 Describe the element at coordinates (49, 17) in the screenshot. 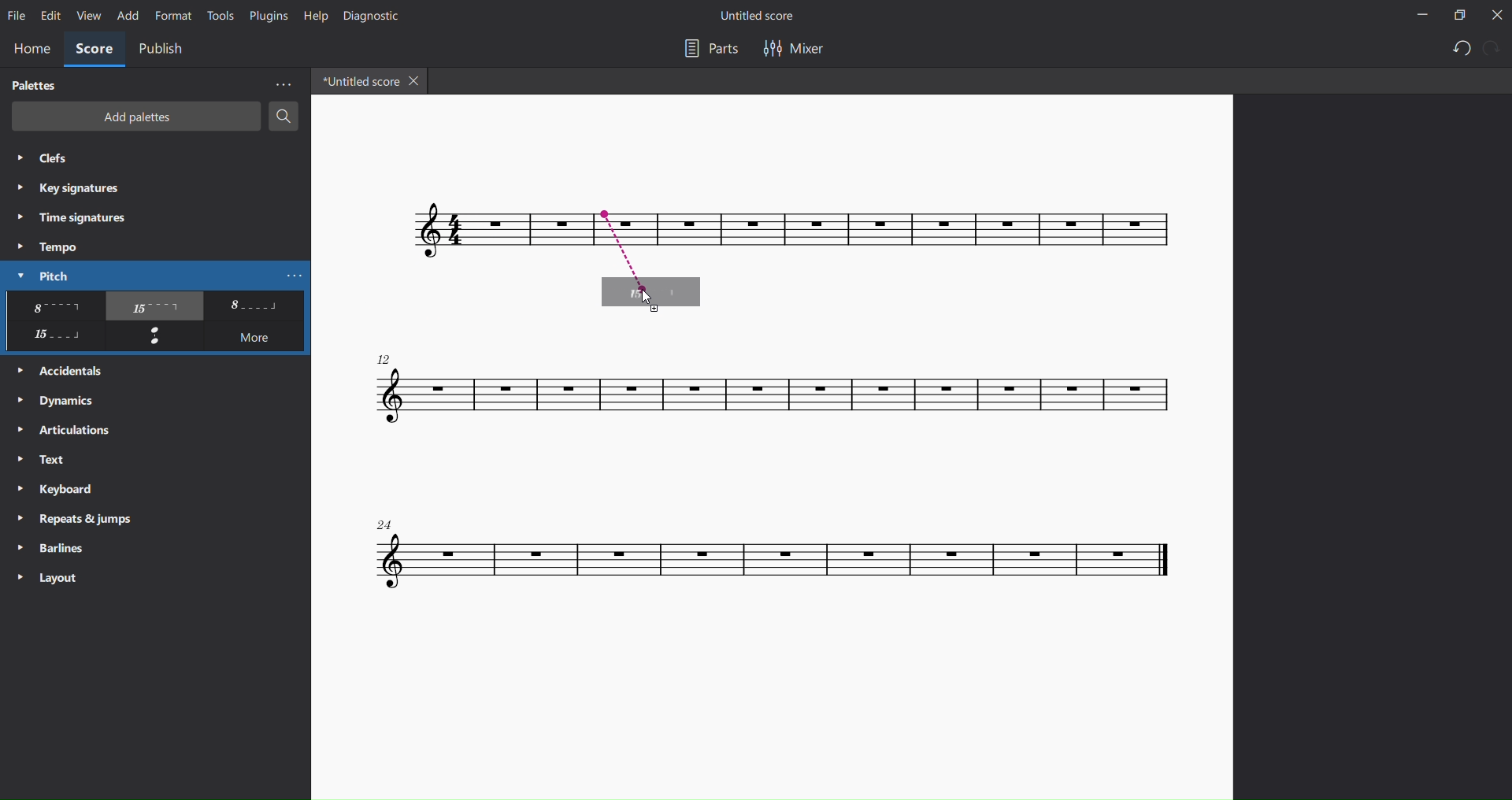

I see `edit` at that location.